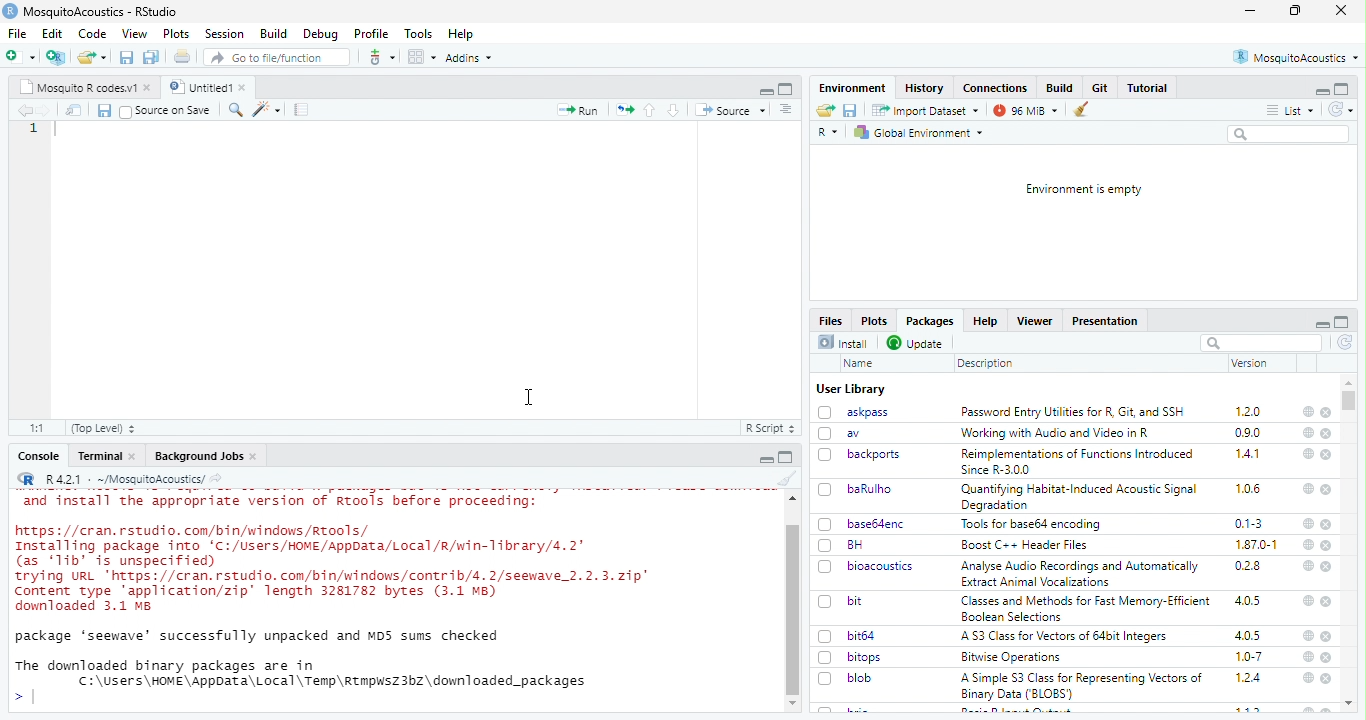  I want to click on clean, so click(1075, 110).